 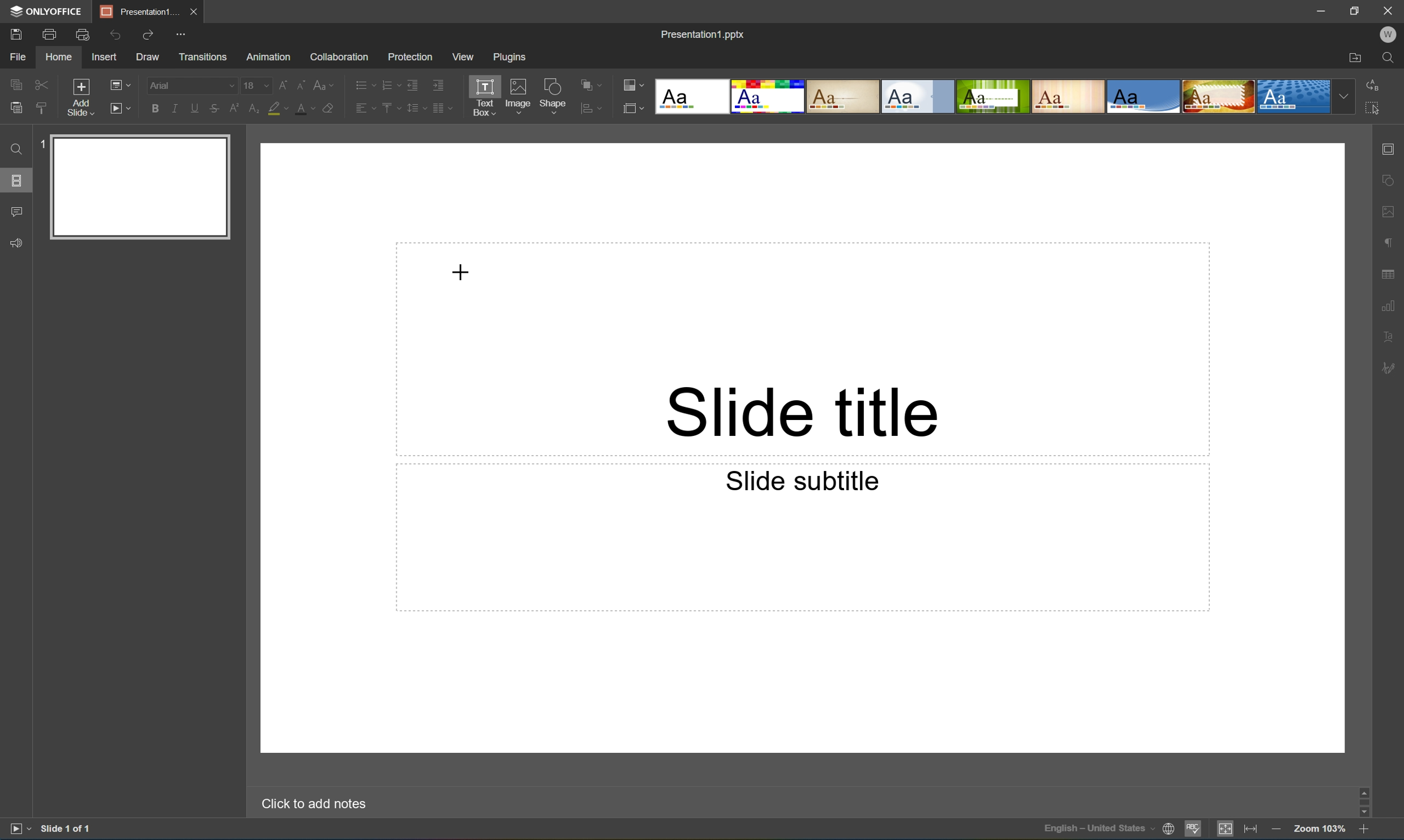 I want to click on Close, so click(x=192, y=10).